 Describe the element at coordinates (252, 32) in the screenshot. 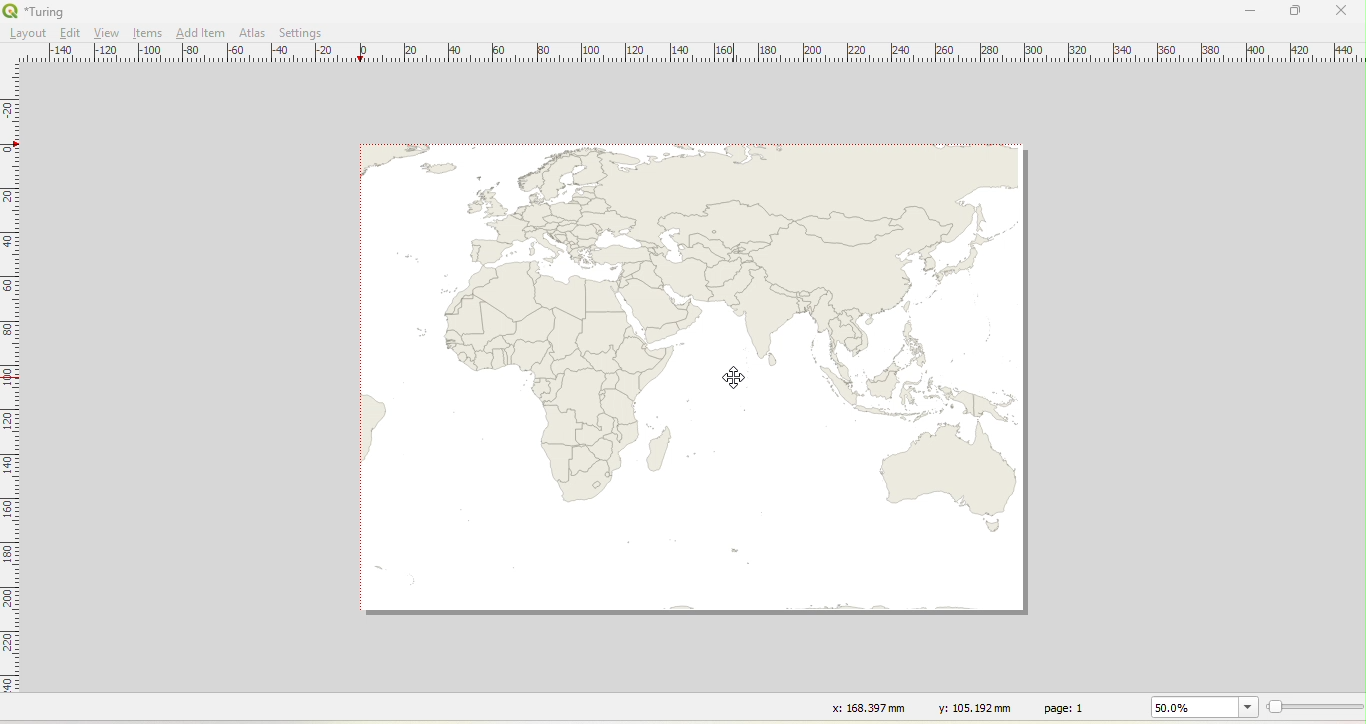

I see `Atlas` at that location.